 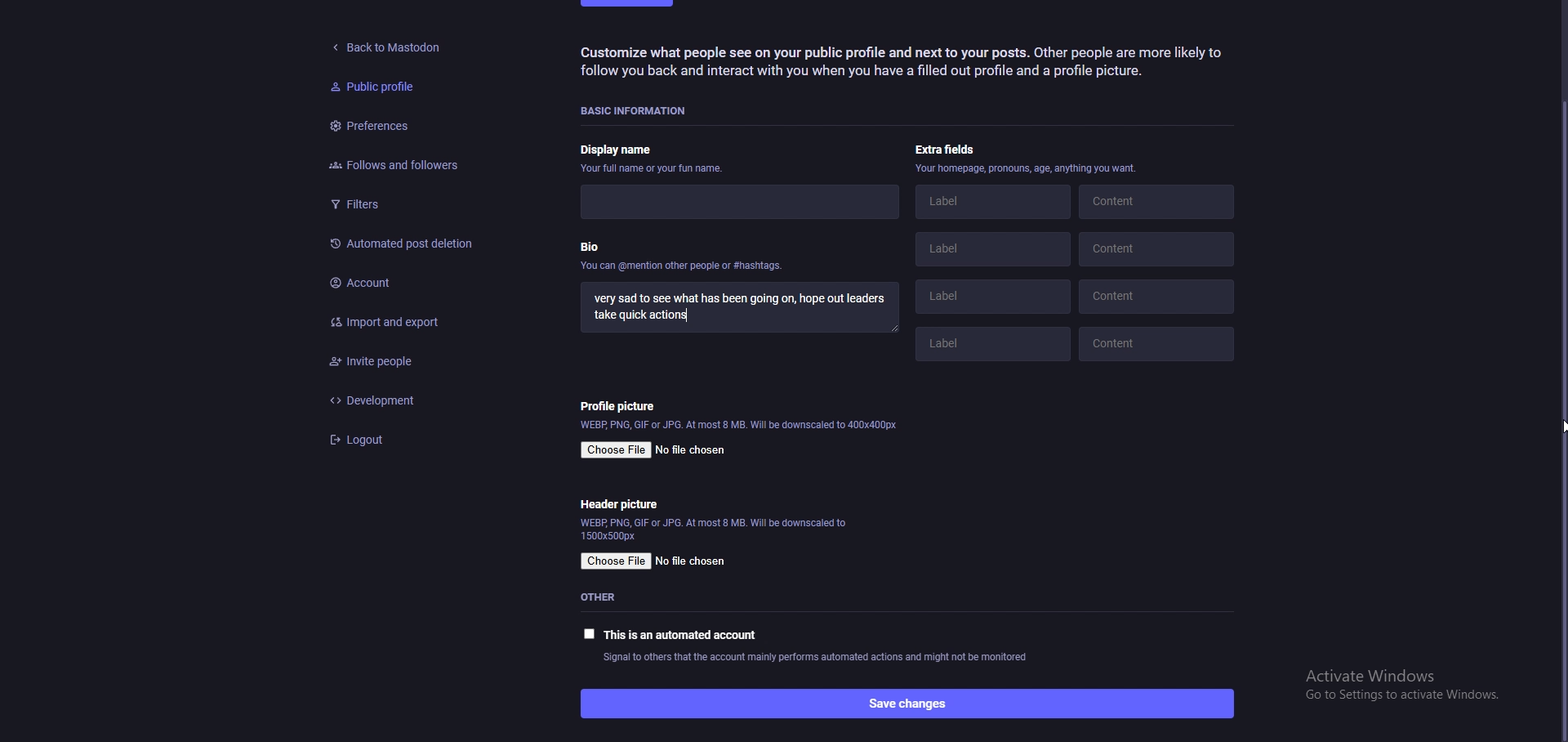 What do you see at coordinates (911, 65) in the screenshot?
I see `‘Customize what people see on your public profile and next to your posts. Other people are more likely to
follow you back and interact with you when you have a filled out profile and a profile picture.` at bounding box center [911, 65].